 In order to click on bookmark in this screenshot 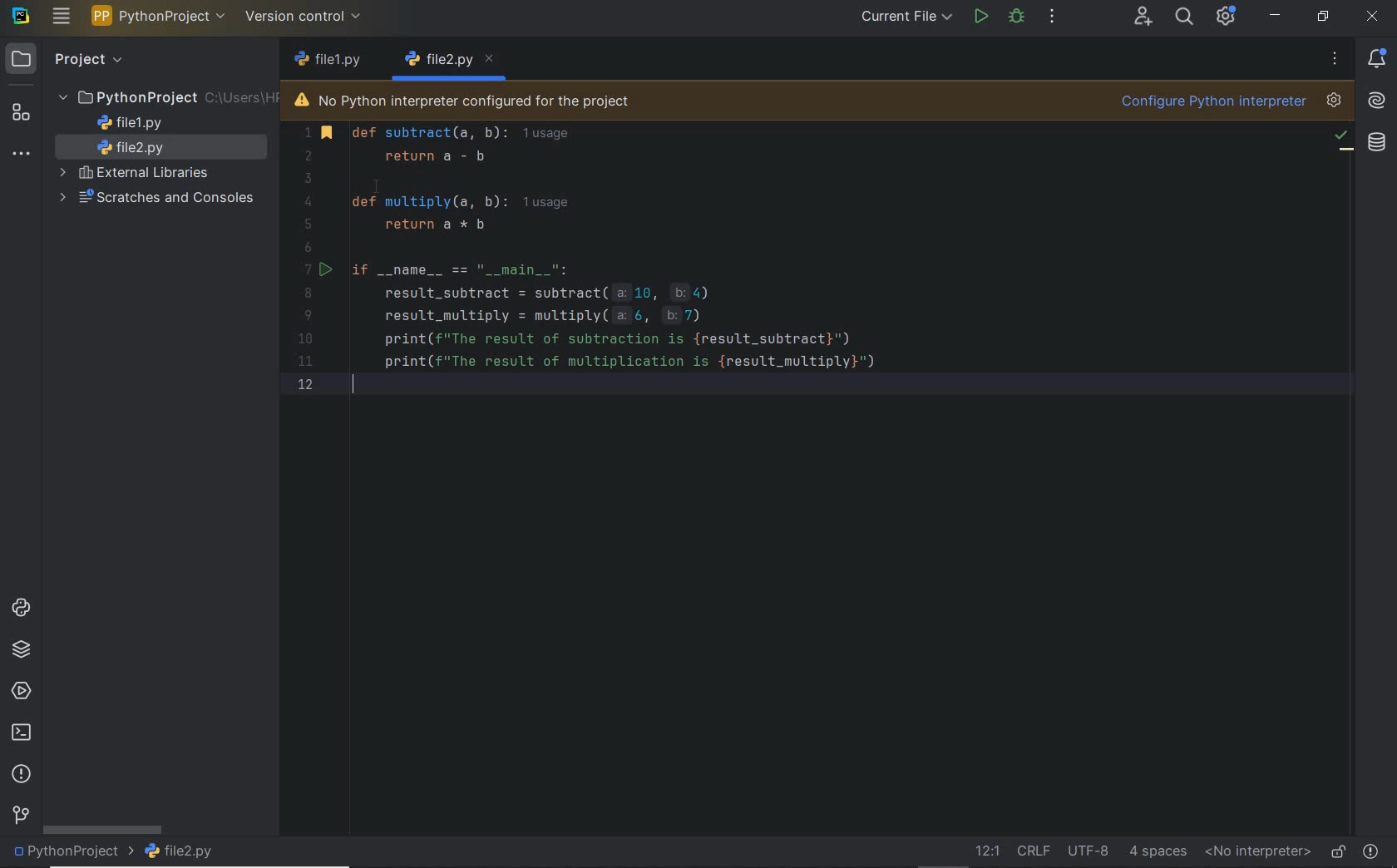, I will do `click(328, 136)`.